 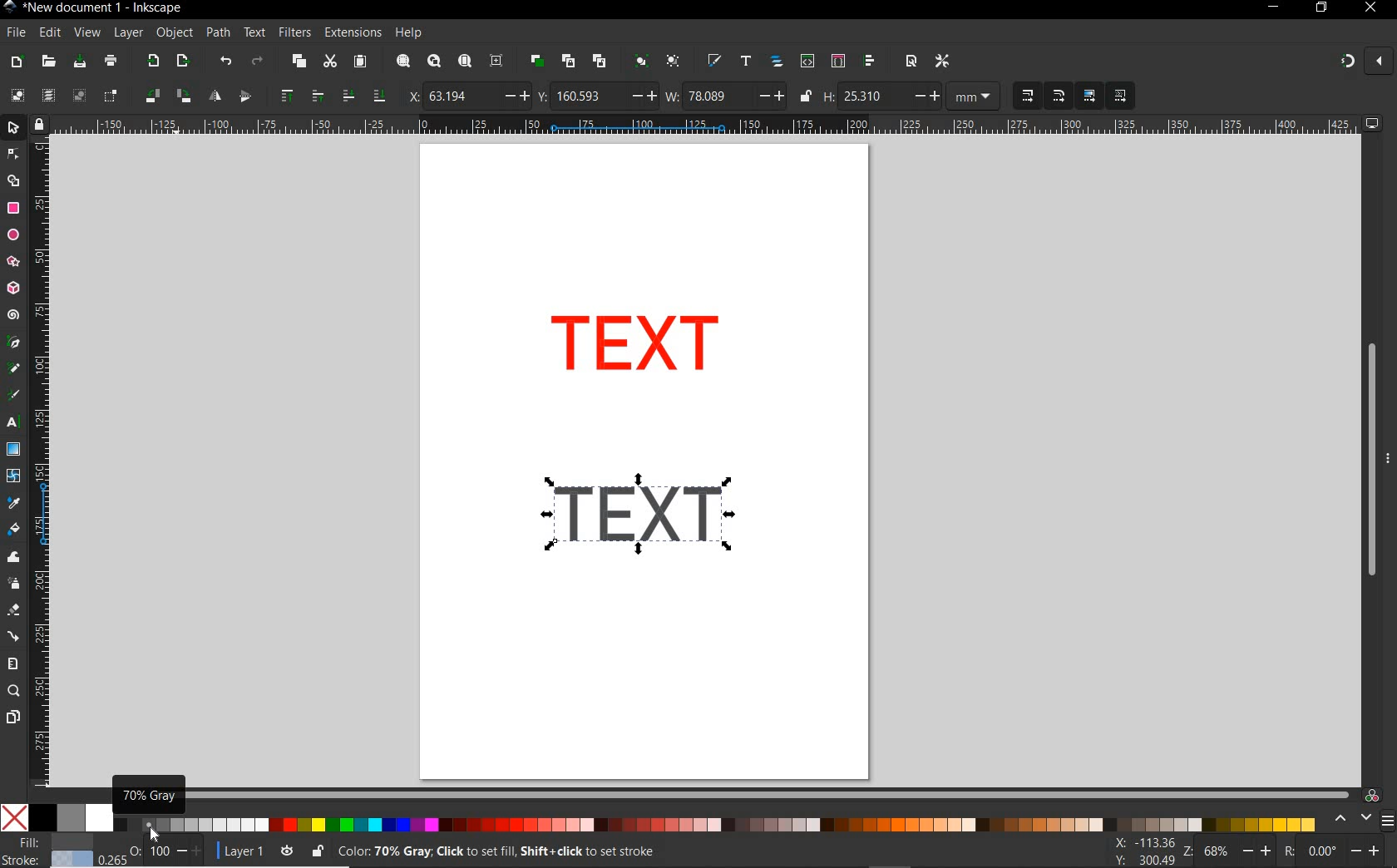 What do you see at coordinates (1143, 852) in the screenshot?
I see `cursor coordintes` at bounding box center [1143, 852].